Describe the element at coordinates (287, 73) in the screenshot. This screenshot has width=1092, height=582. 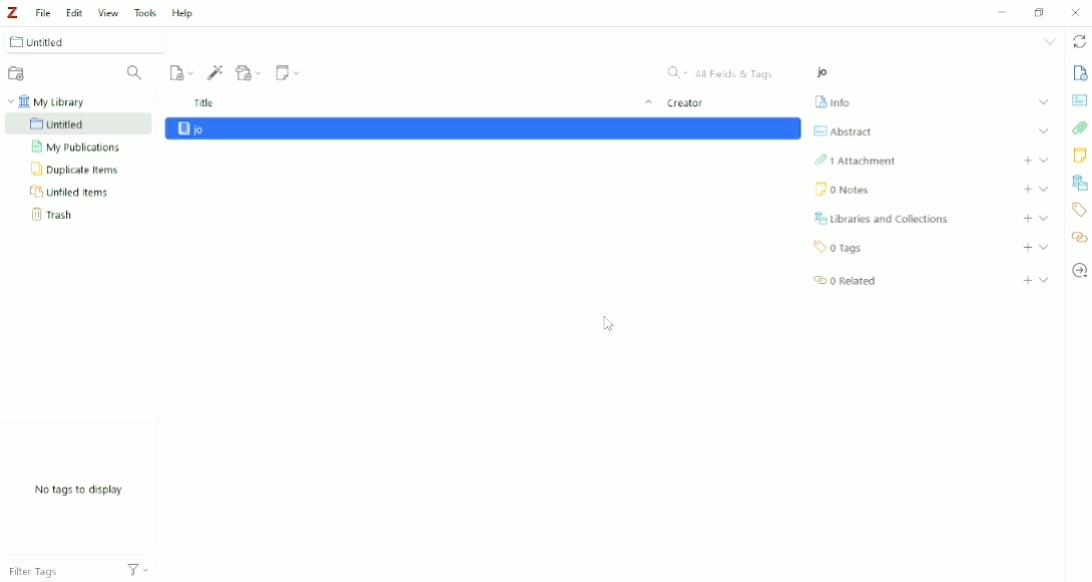
I see `New Note` at that location.